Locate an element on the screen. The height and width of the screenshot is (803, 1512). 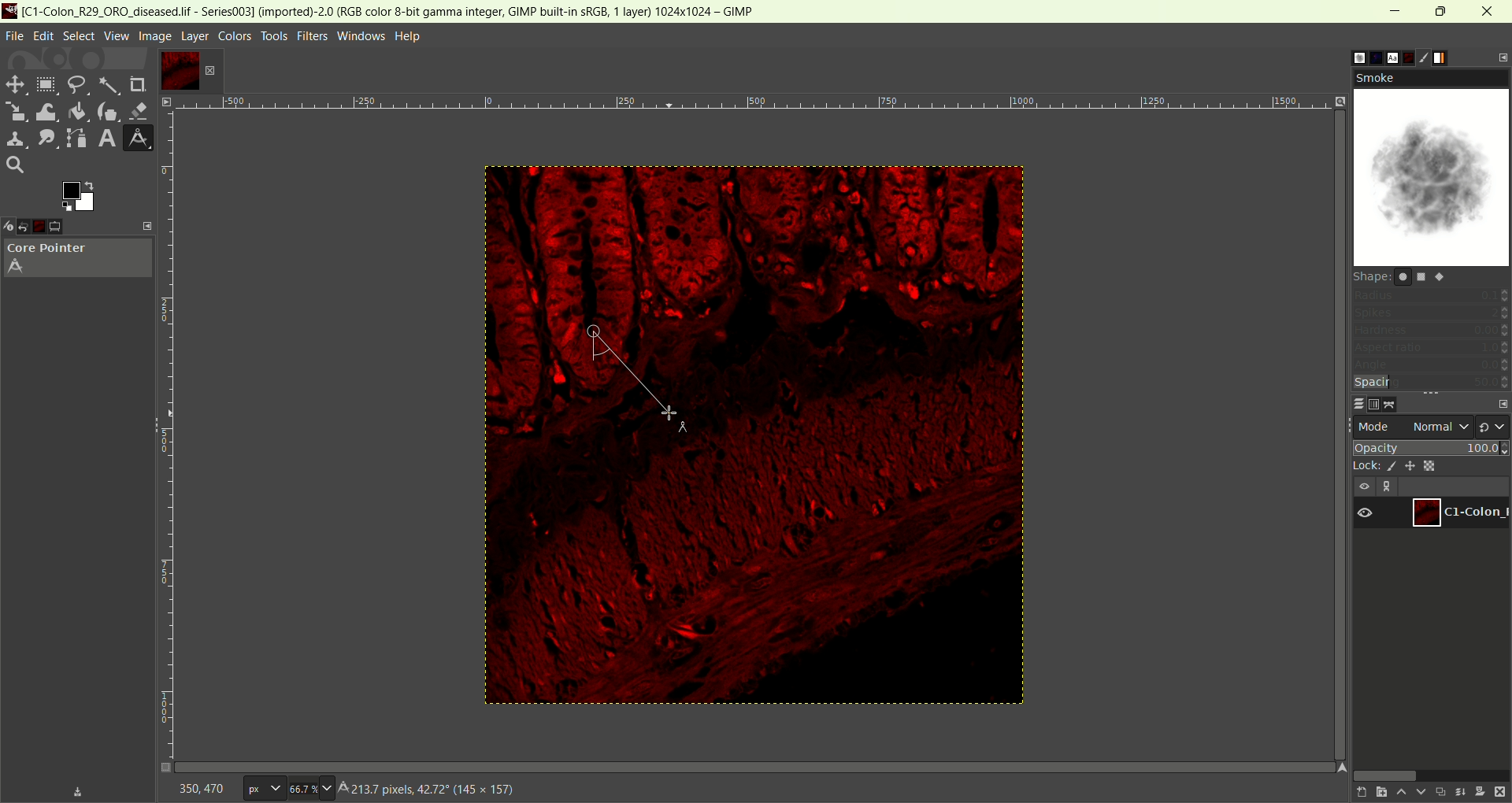
horizontal scroll bar is located at coordinates (1429, 774).